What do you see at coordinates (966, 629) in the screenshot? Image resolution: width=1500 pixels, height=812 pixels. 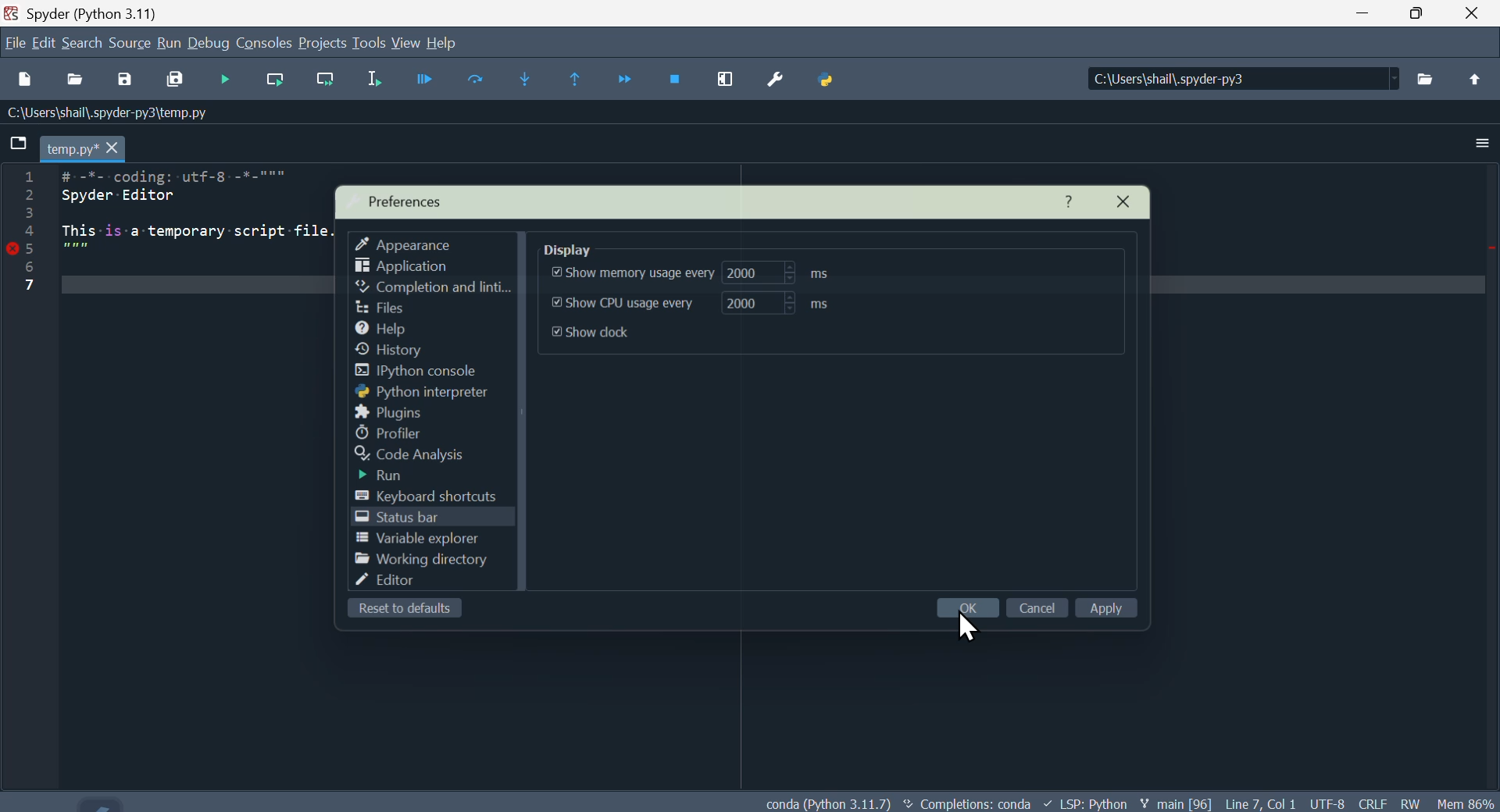 I see `Cursor` at bounding box center [966, 629].